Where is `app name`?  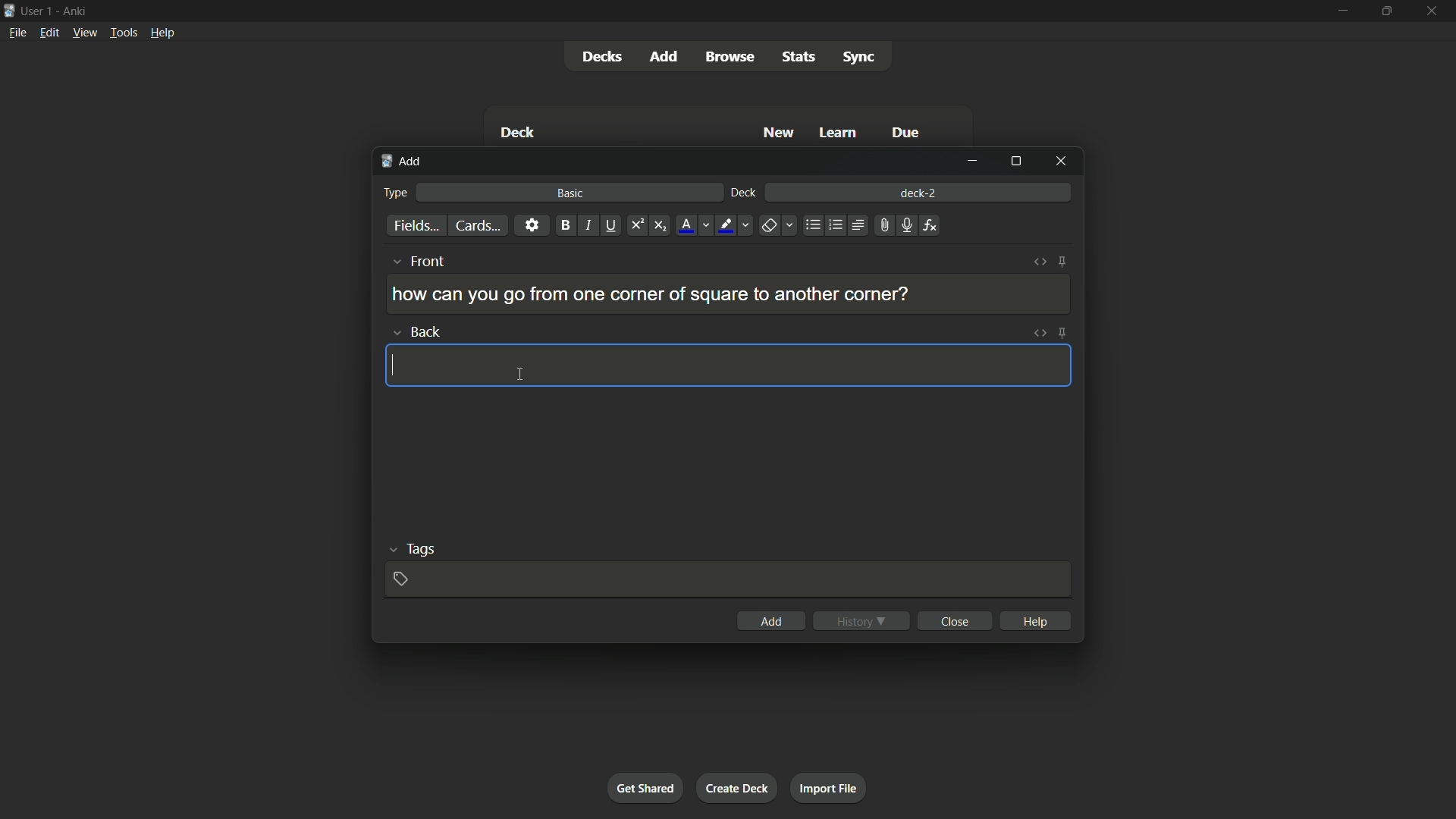 app name is located at coordinates (75, 11).